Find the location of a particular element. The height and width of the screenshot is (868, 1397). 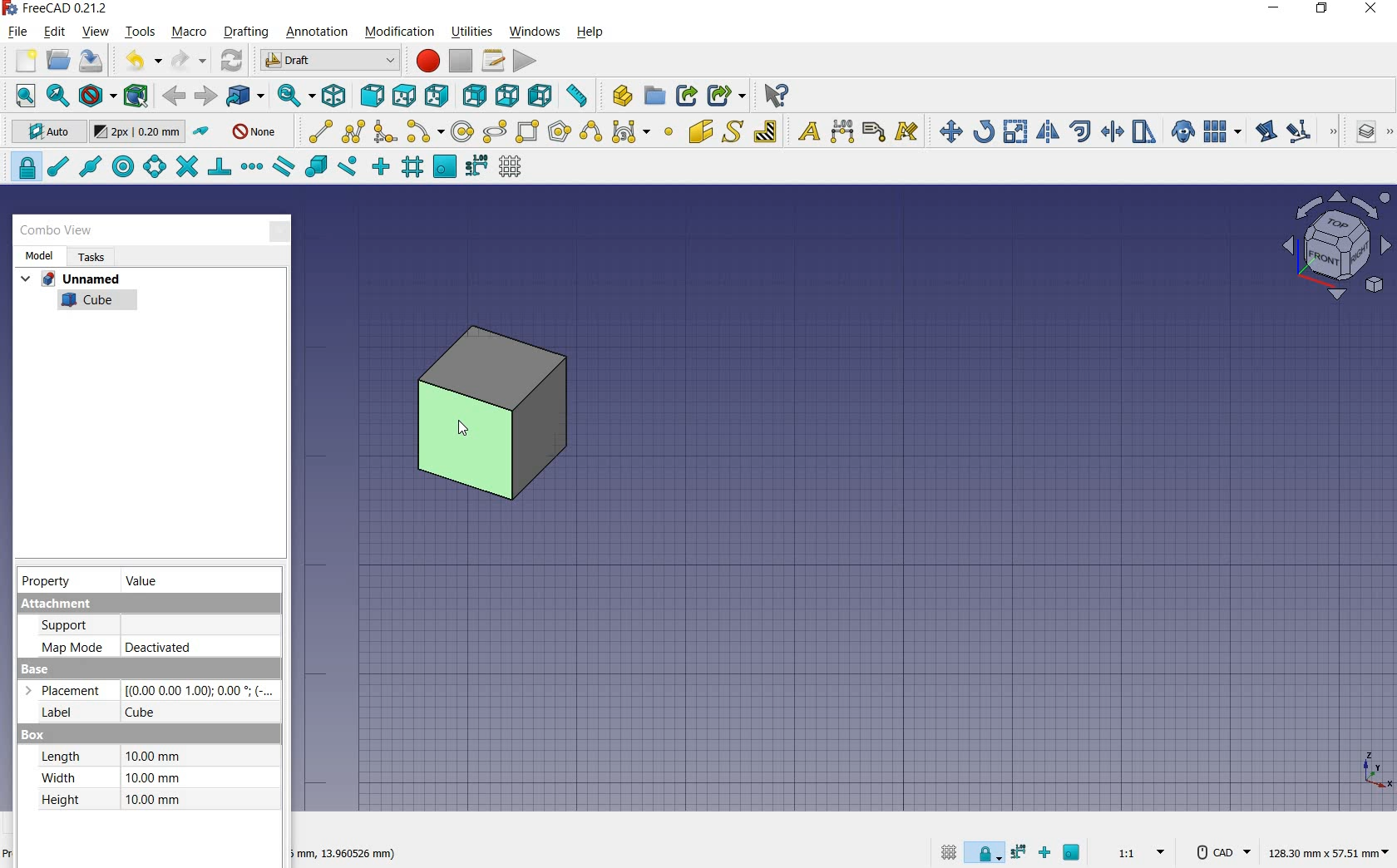

snap endpoint is located at coordinates (59, 167).